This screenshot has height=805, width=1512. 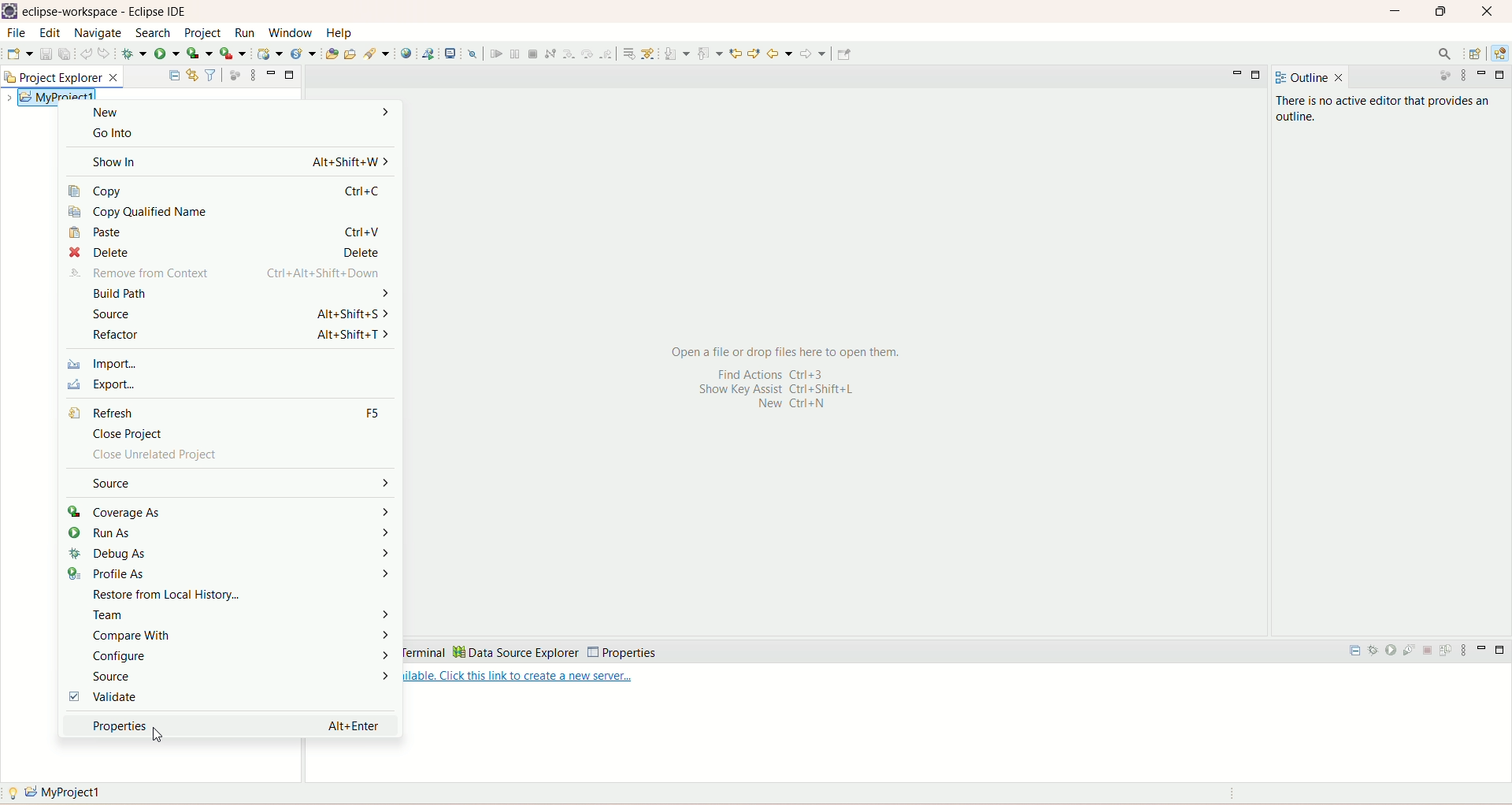 I want to click on redo, so click(x=105, y=53).